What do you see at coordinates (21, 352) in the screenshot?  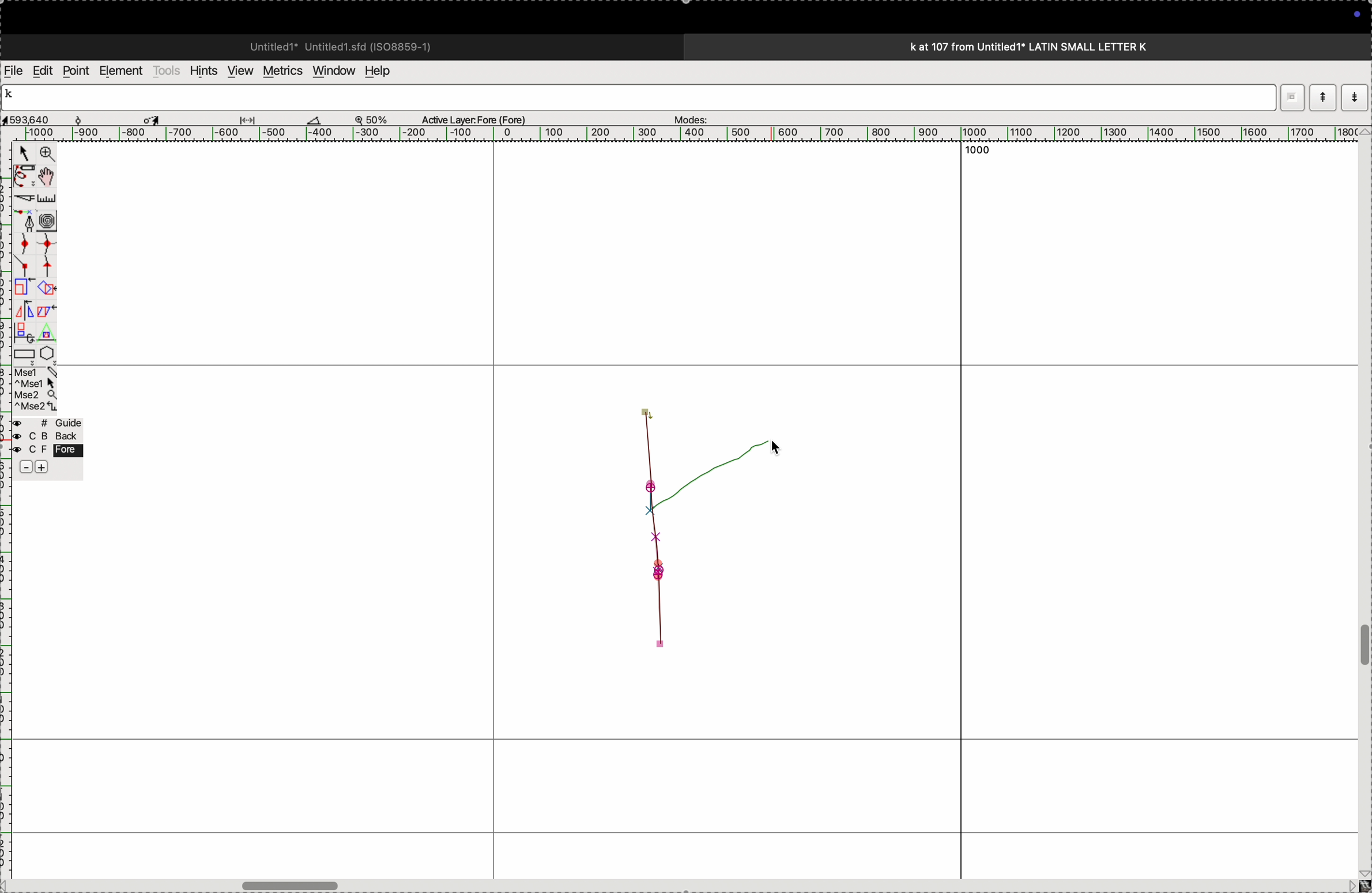 I see `rectangle` at bounding box center [21, 352].